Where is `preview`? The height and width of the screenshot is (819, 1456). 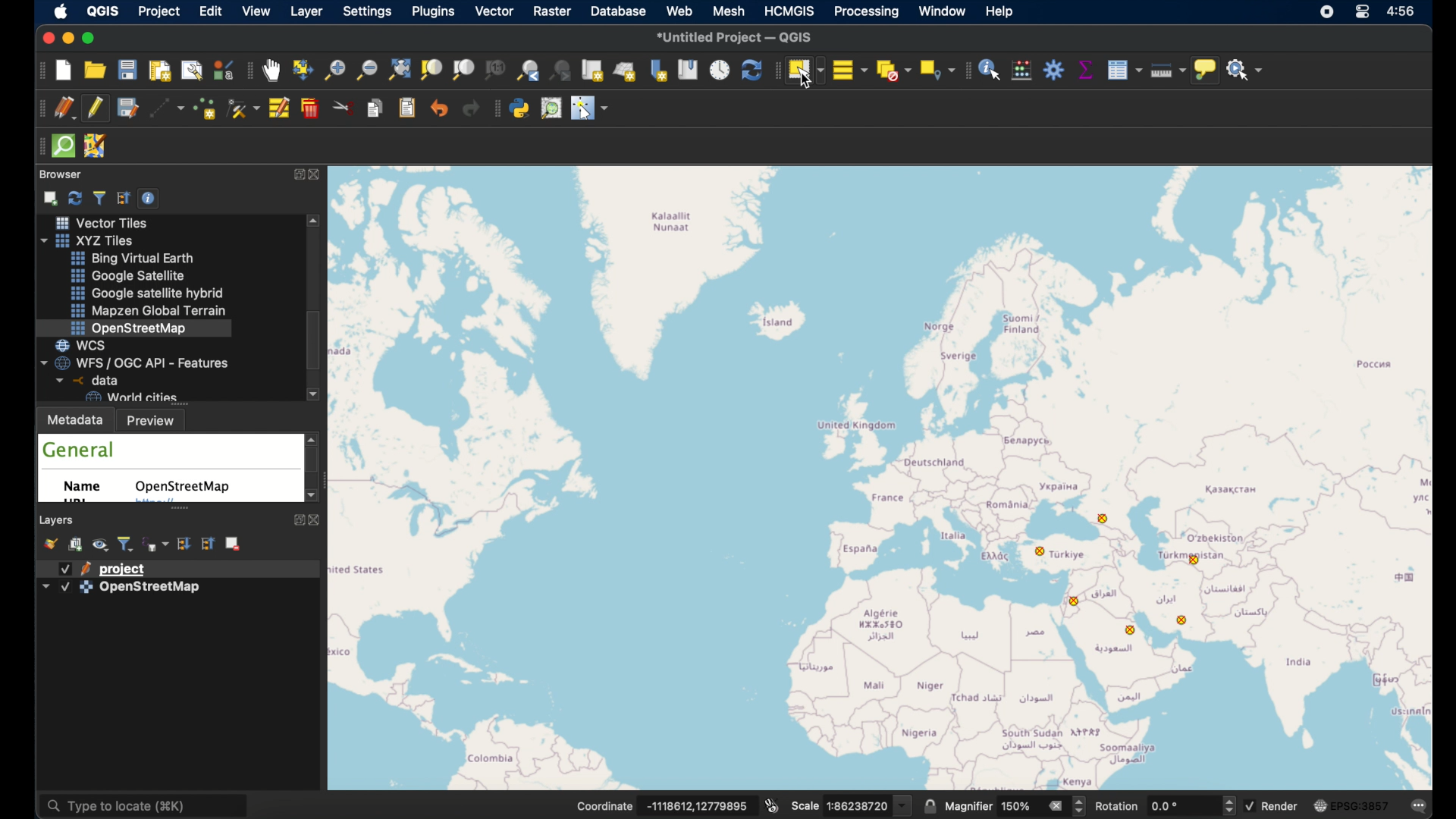
preview is located at coordinates (155, 420).